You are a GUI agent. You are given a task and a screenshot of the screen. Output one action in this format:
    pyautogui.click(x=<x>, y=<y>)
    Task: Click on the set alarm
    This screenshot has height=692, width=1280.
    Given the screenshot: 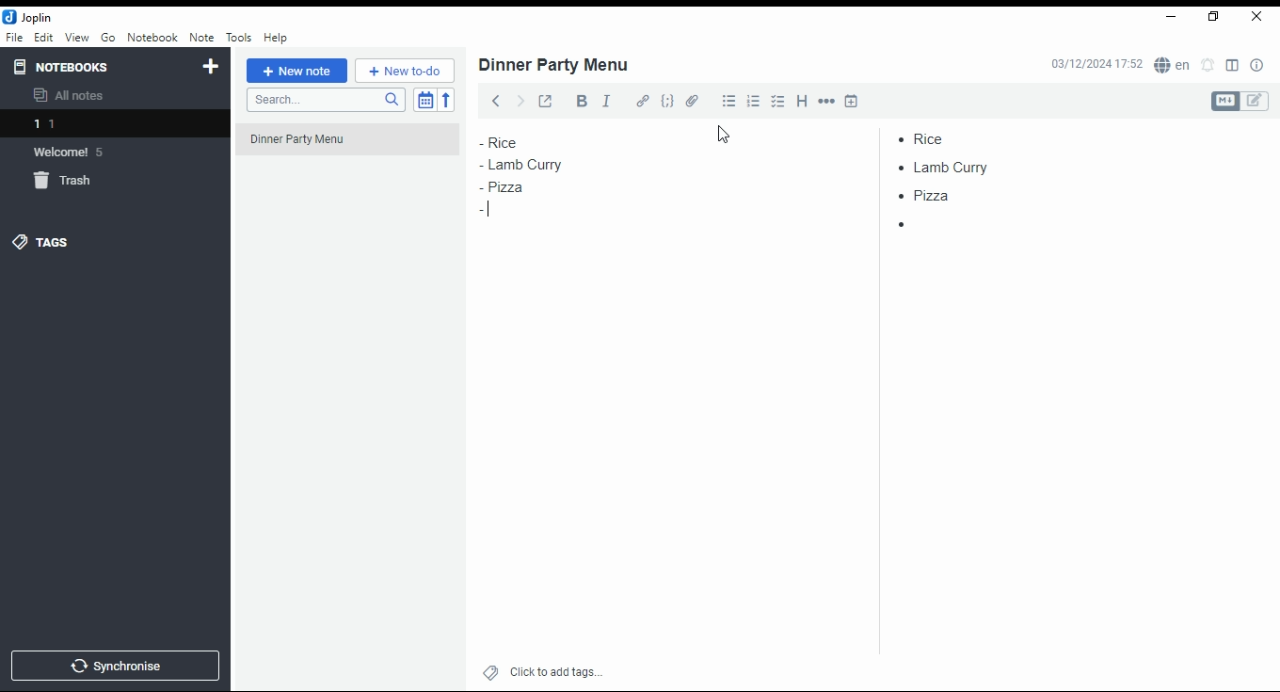 What is the action you would take?
    pyautogui.click(x=1208, y=65)
    